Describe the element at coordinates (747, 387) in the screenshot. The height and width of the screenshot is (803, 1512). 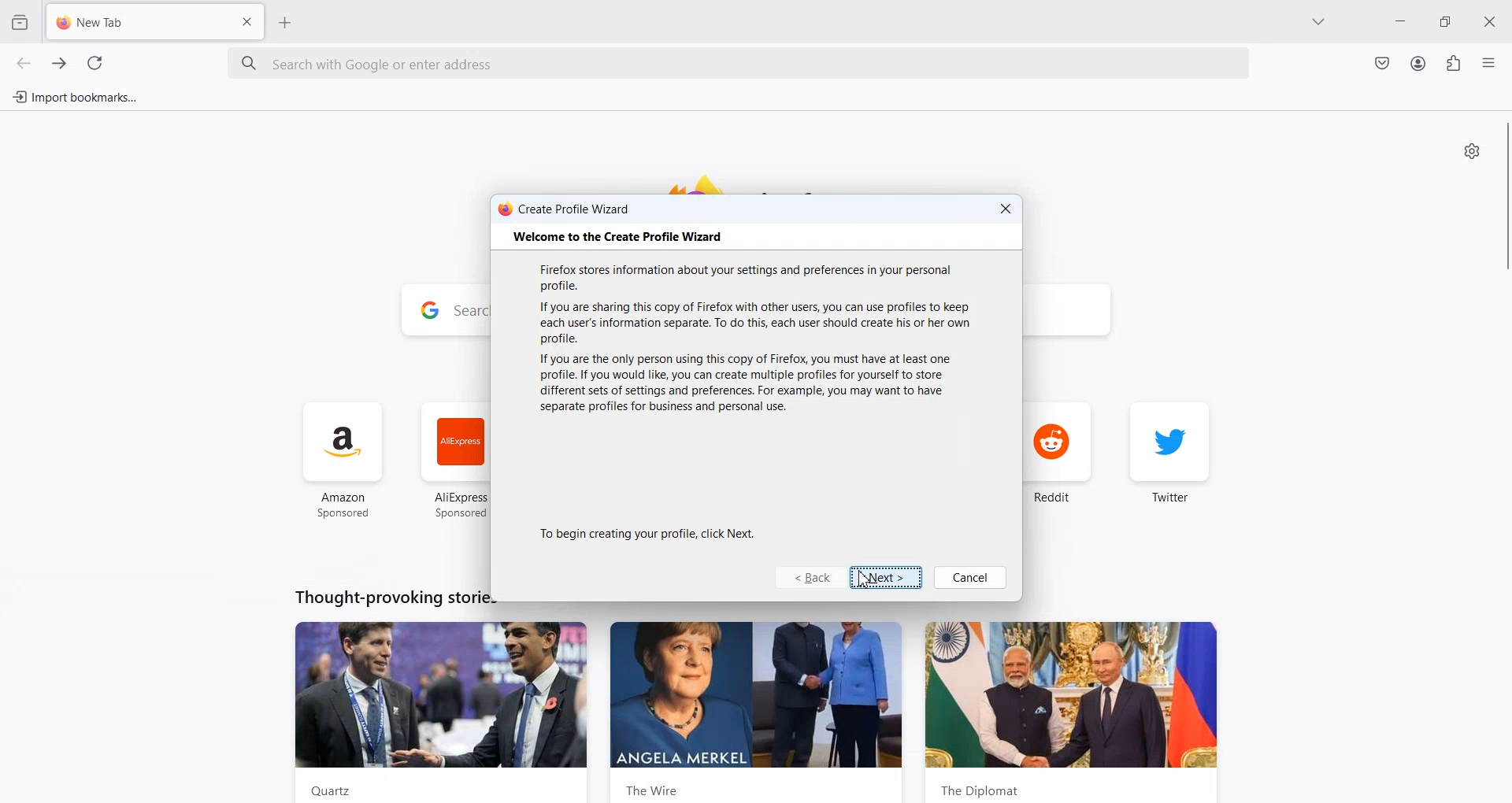
I see `If you are the only person using this copy of Firefox, you must have at least one
profile. If you would like, you can create multiple profiles for yourself to store
different sets of settings and preferences. For example, you may want to have
separate profiles for business and personal use.` at that location.